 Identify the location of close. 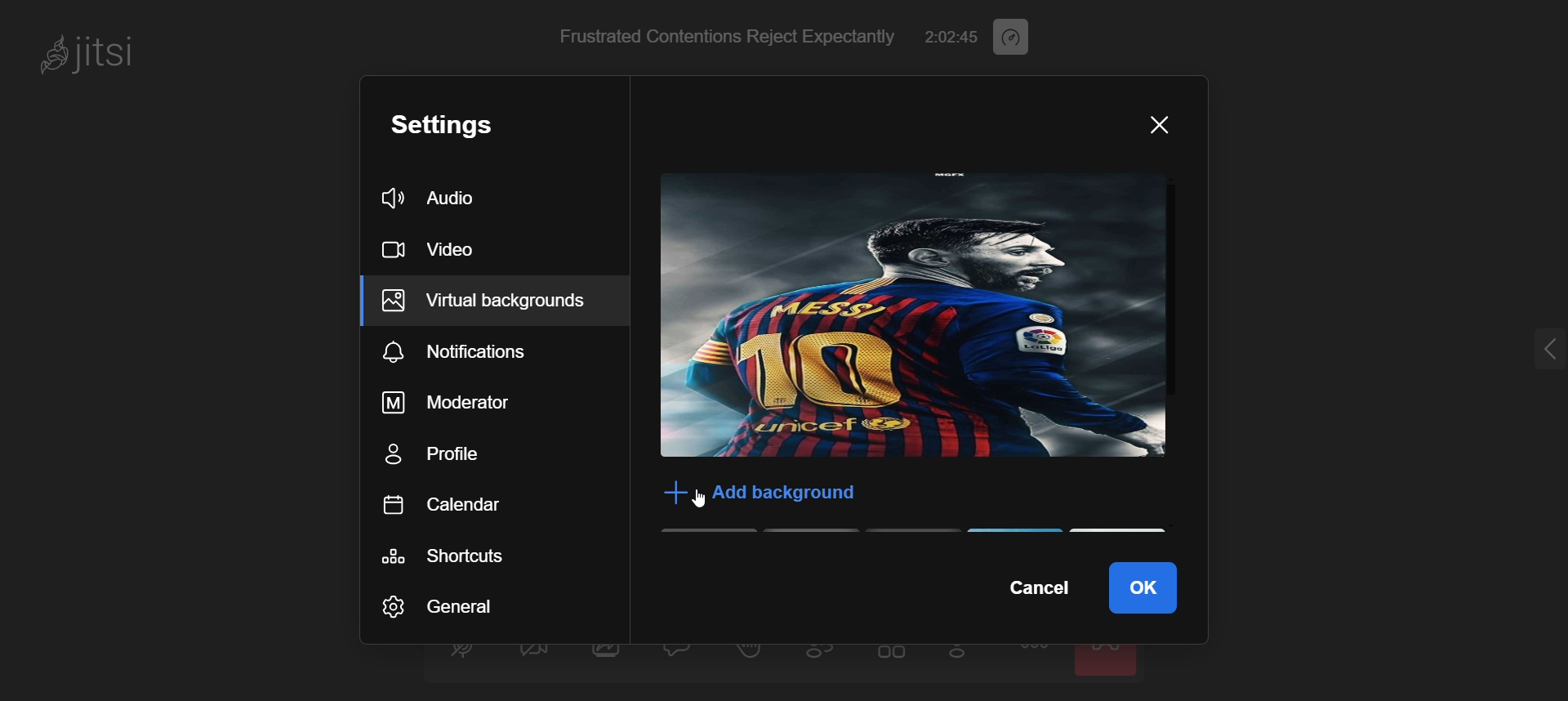
(1152, 127).